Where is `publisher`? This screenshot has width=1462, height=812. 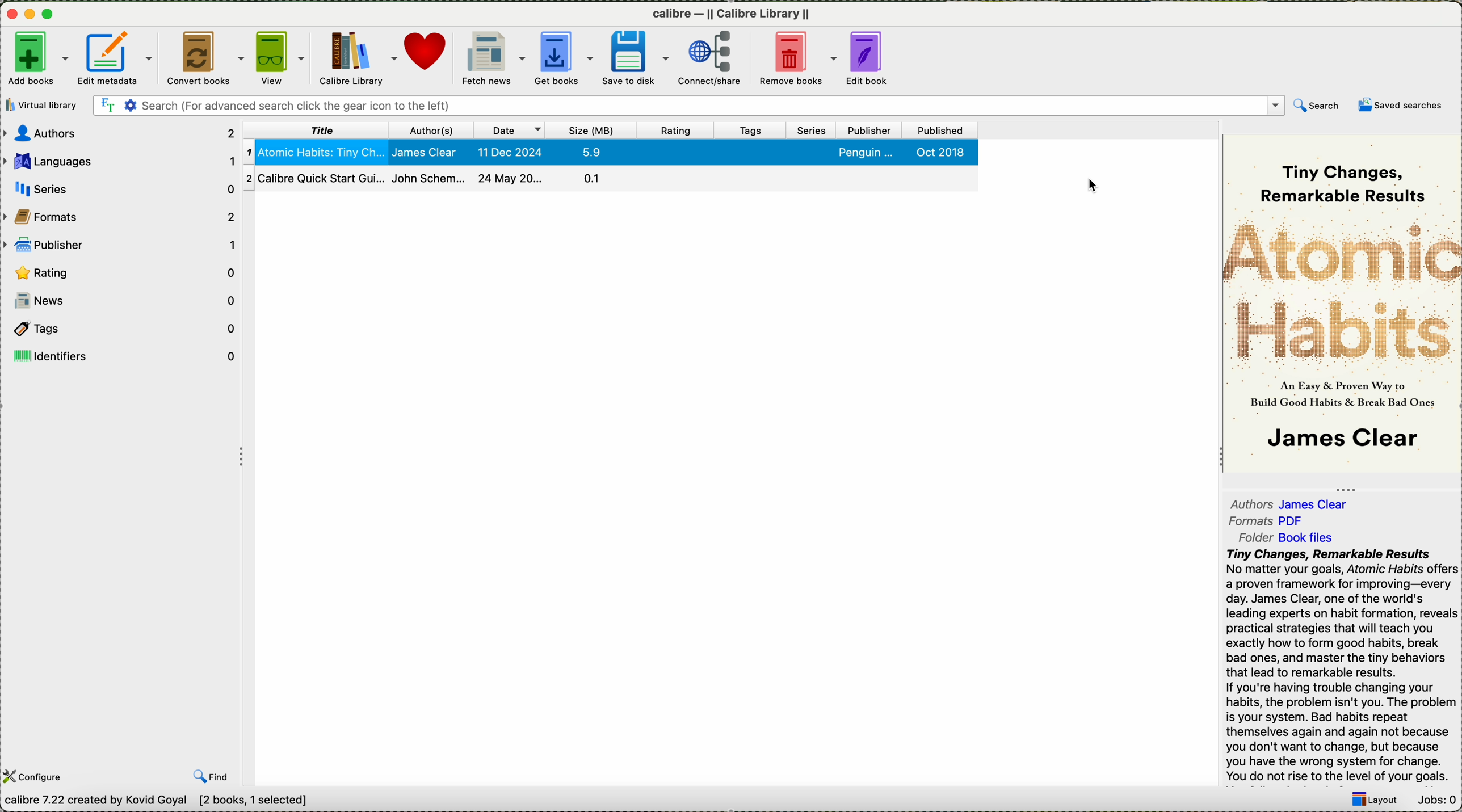
publisher is located at coordinates (869, 129).